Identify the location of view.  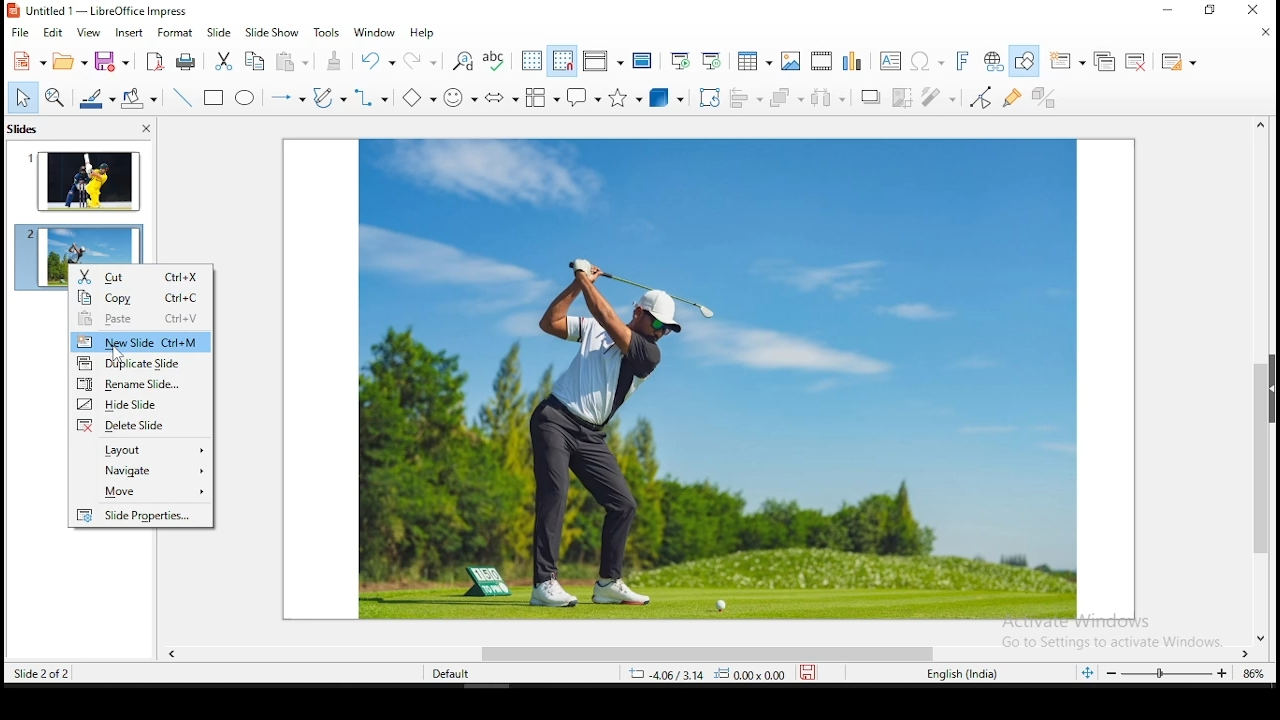
(88, 33).